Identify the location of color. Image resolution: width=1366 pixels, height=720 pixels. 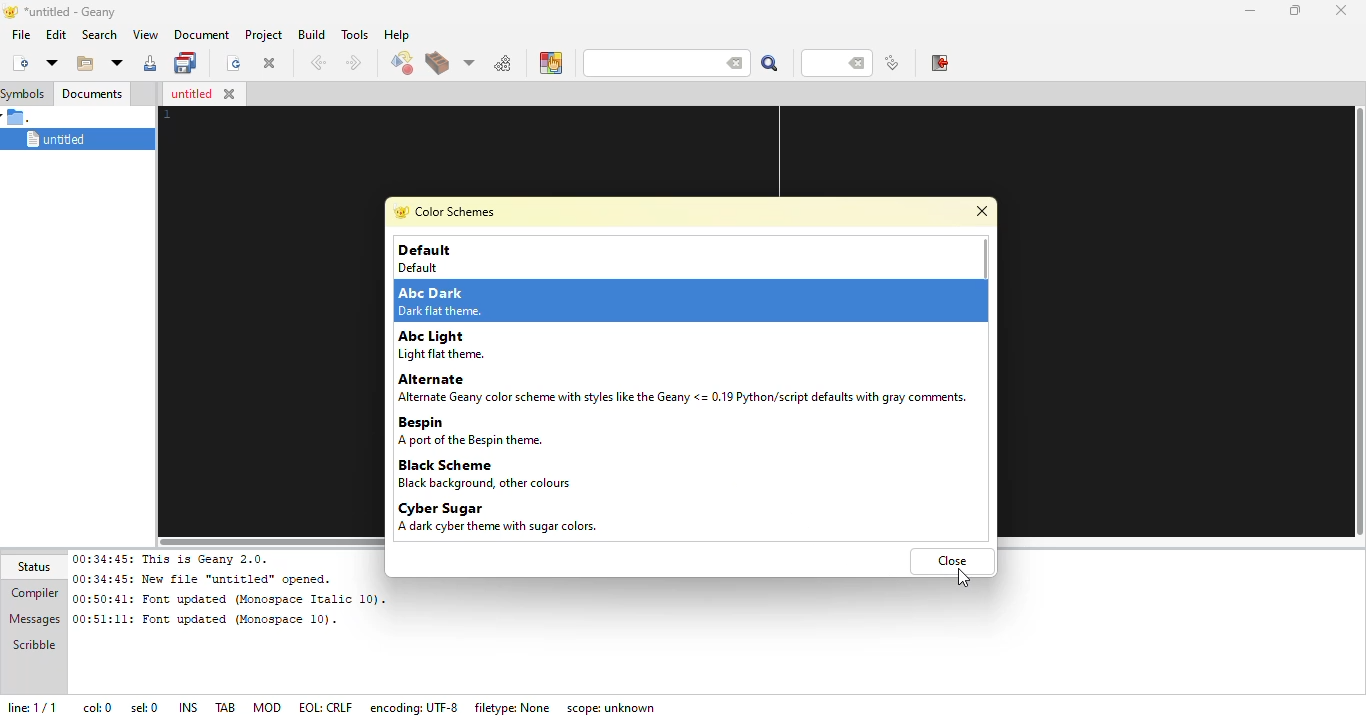
(550, 63).